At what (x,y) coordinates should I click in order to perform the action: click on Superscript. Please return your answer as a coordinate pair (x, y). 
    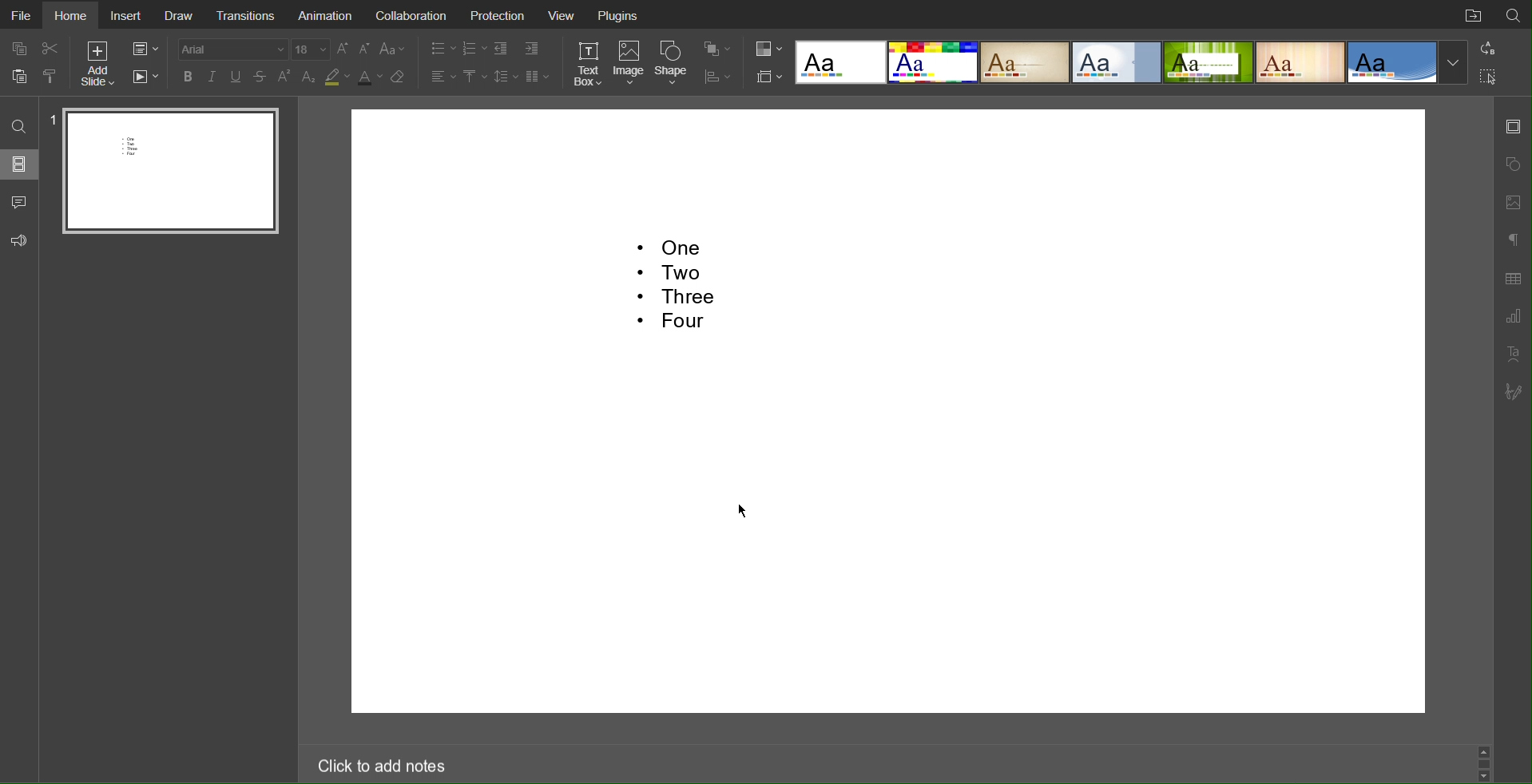
    Looking at the image, I should click on (284, 77).